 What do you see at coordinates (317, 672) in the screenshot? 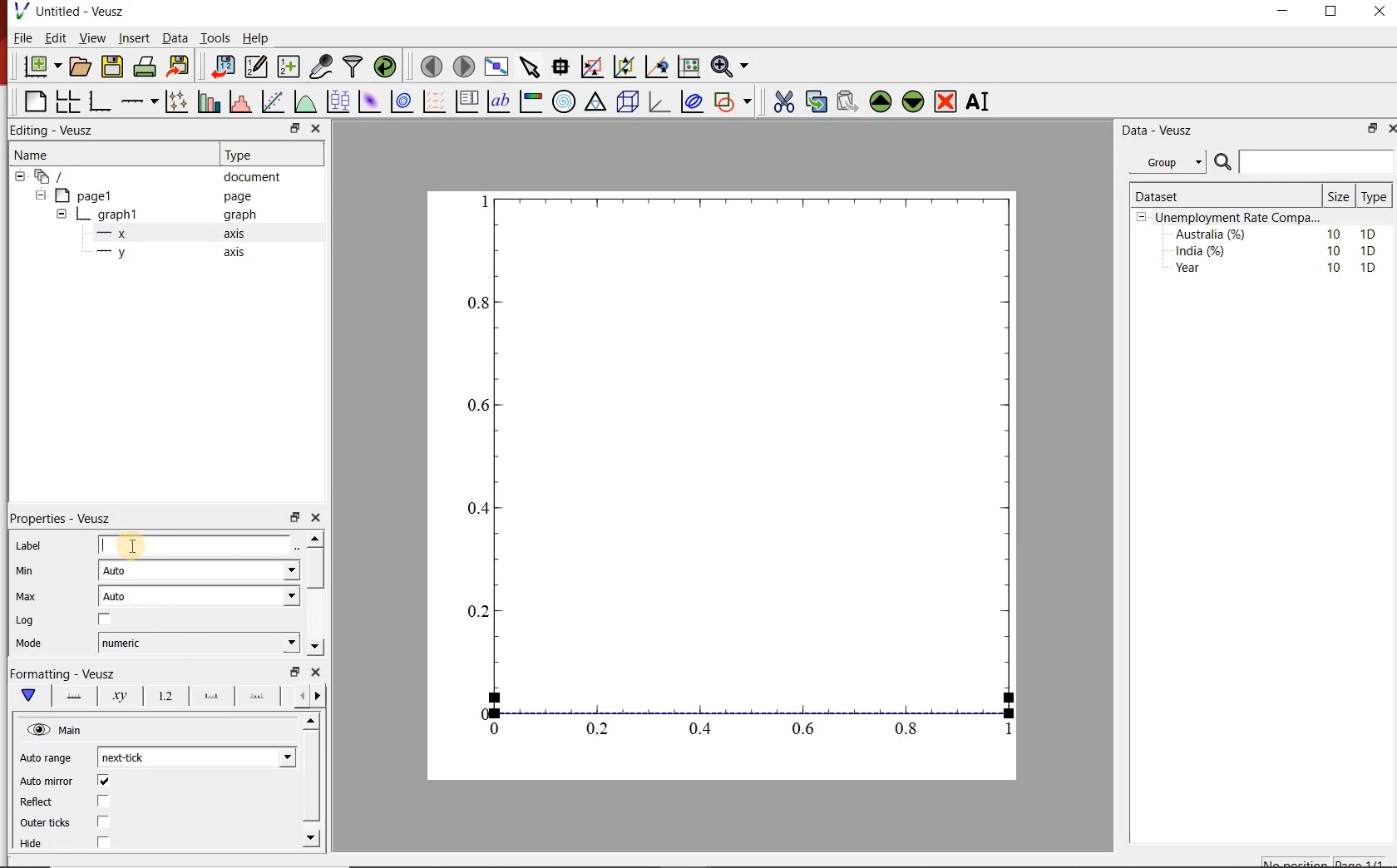
I see `close` at bounding box center [317, 672].